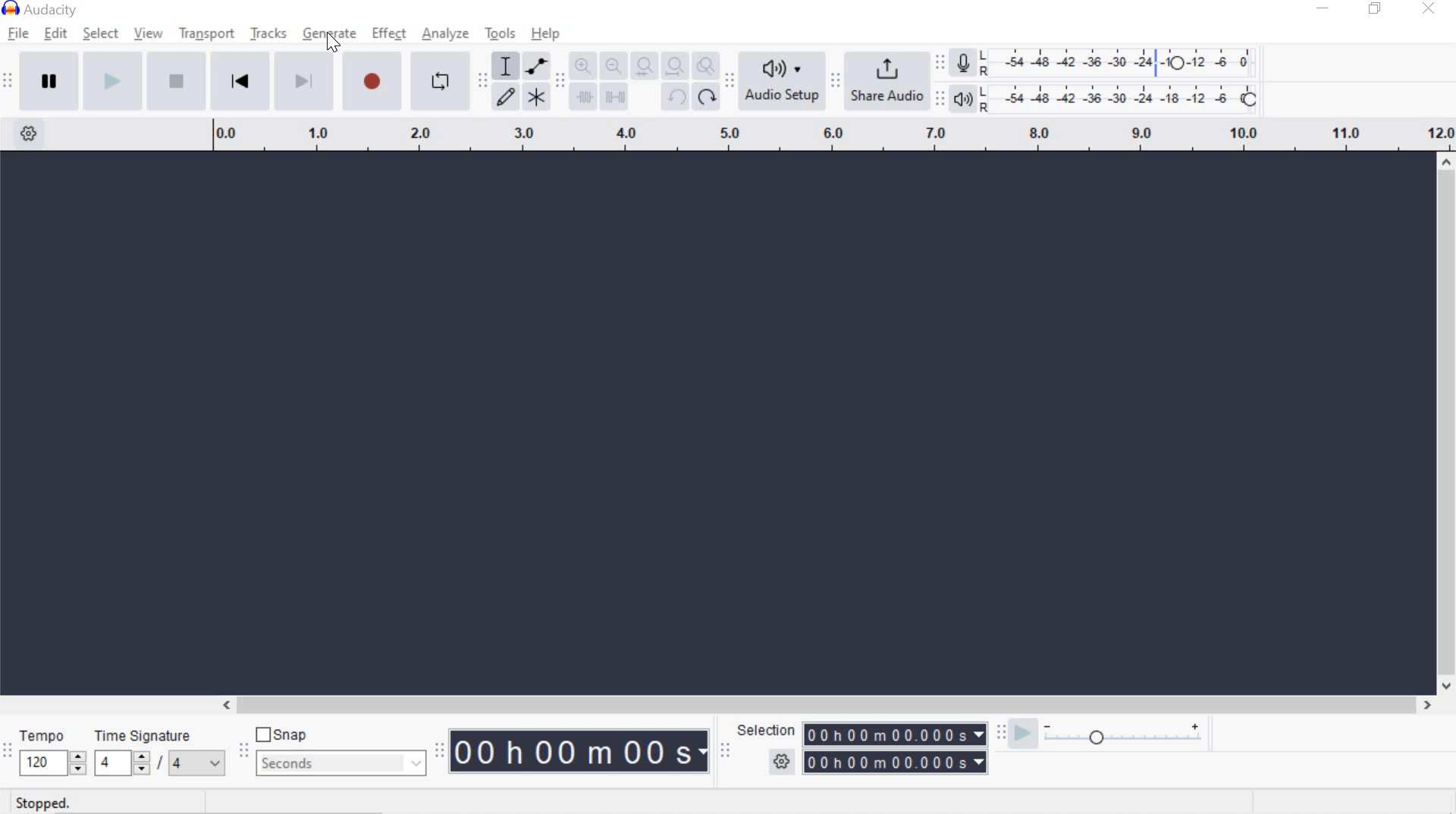  I want to click on Tools Toolbar, so click(485, 82).